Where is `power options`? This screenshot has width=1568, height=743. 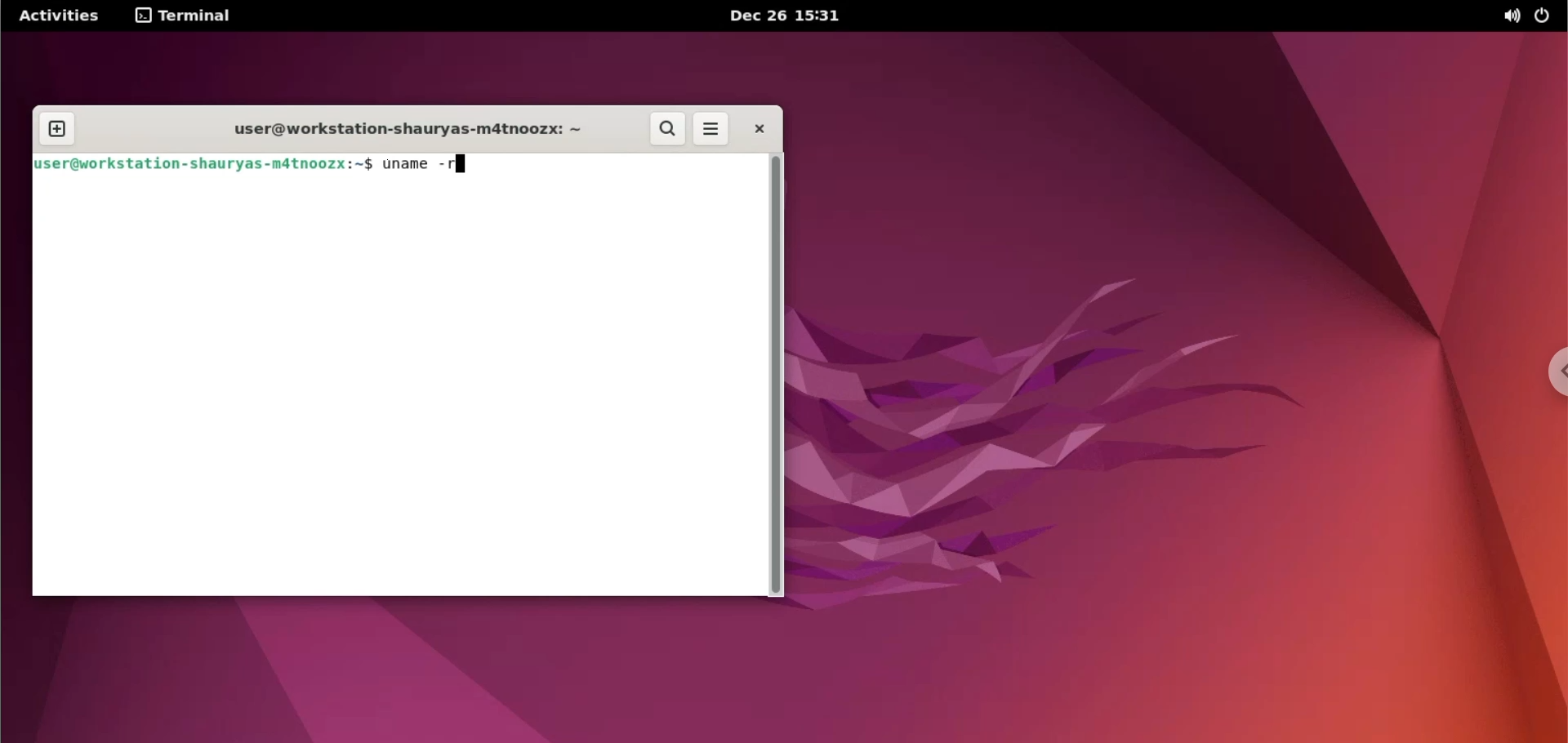
power options is located at coordinates (1546, 17).